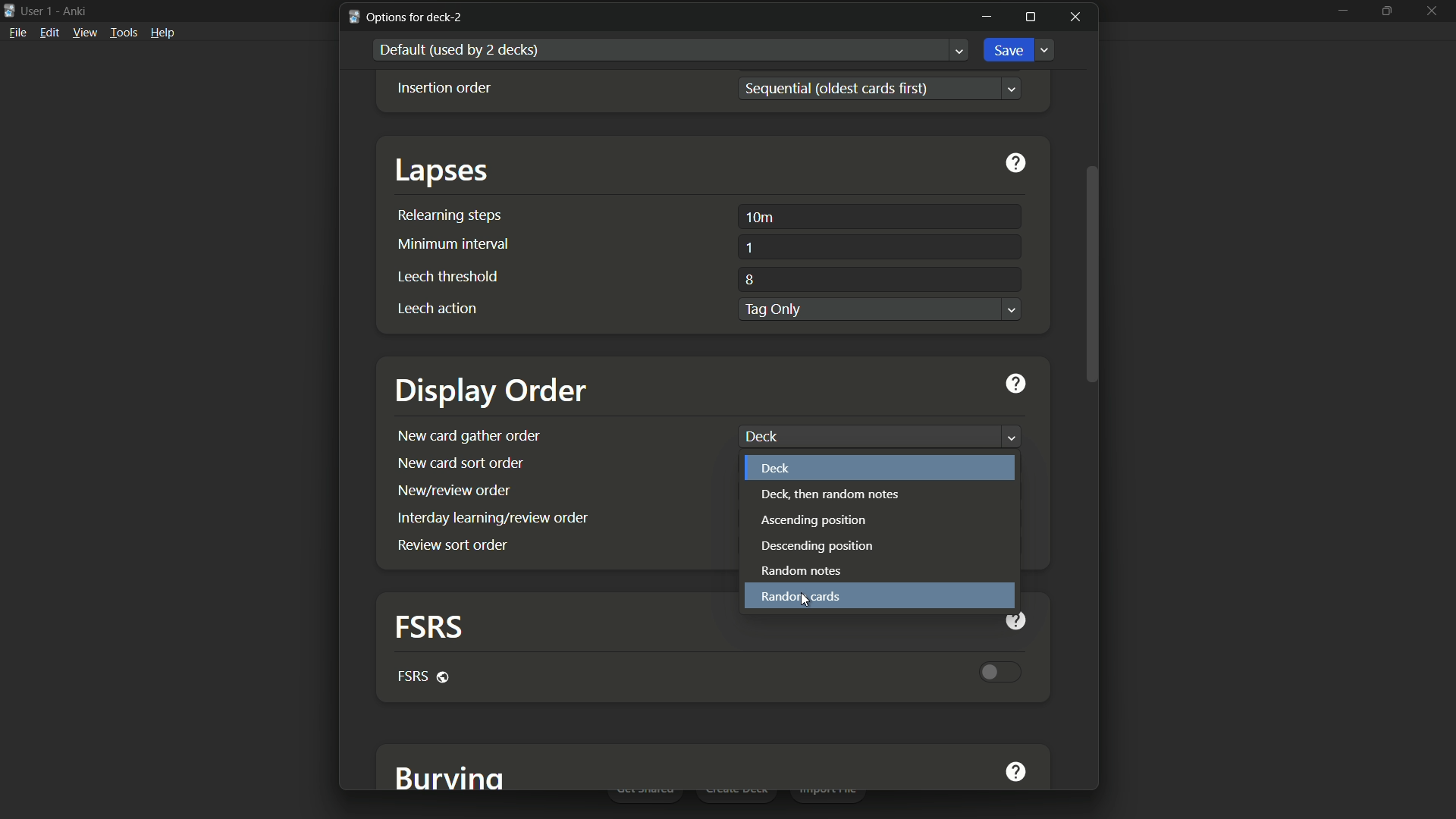 The image size is (1456, 819). I want to click on save, so click(1011, 51).